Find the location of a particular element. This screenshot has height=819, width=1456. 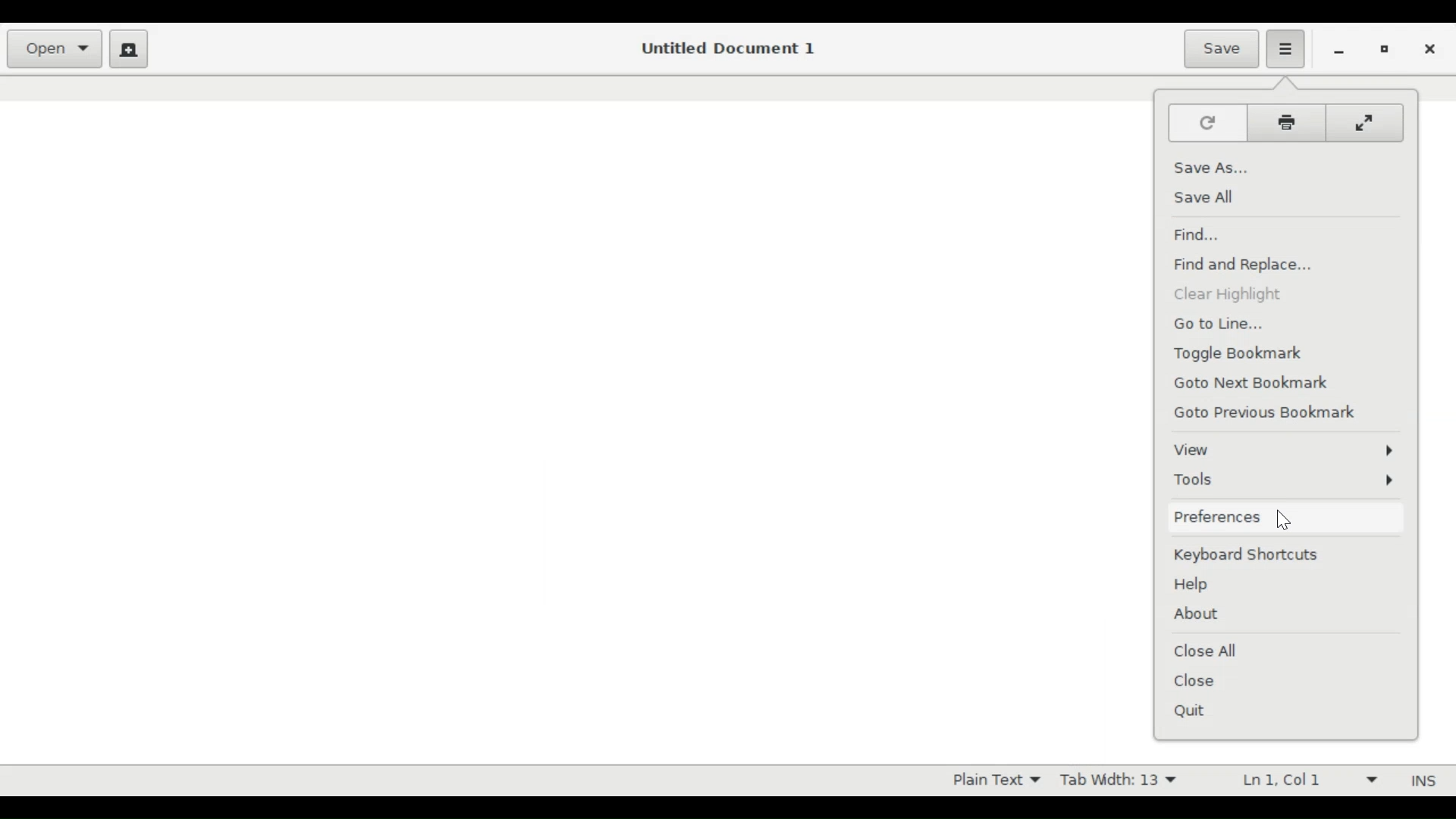

INS is located at coordinates (1423, 781).